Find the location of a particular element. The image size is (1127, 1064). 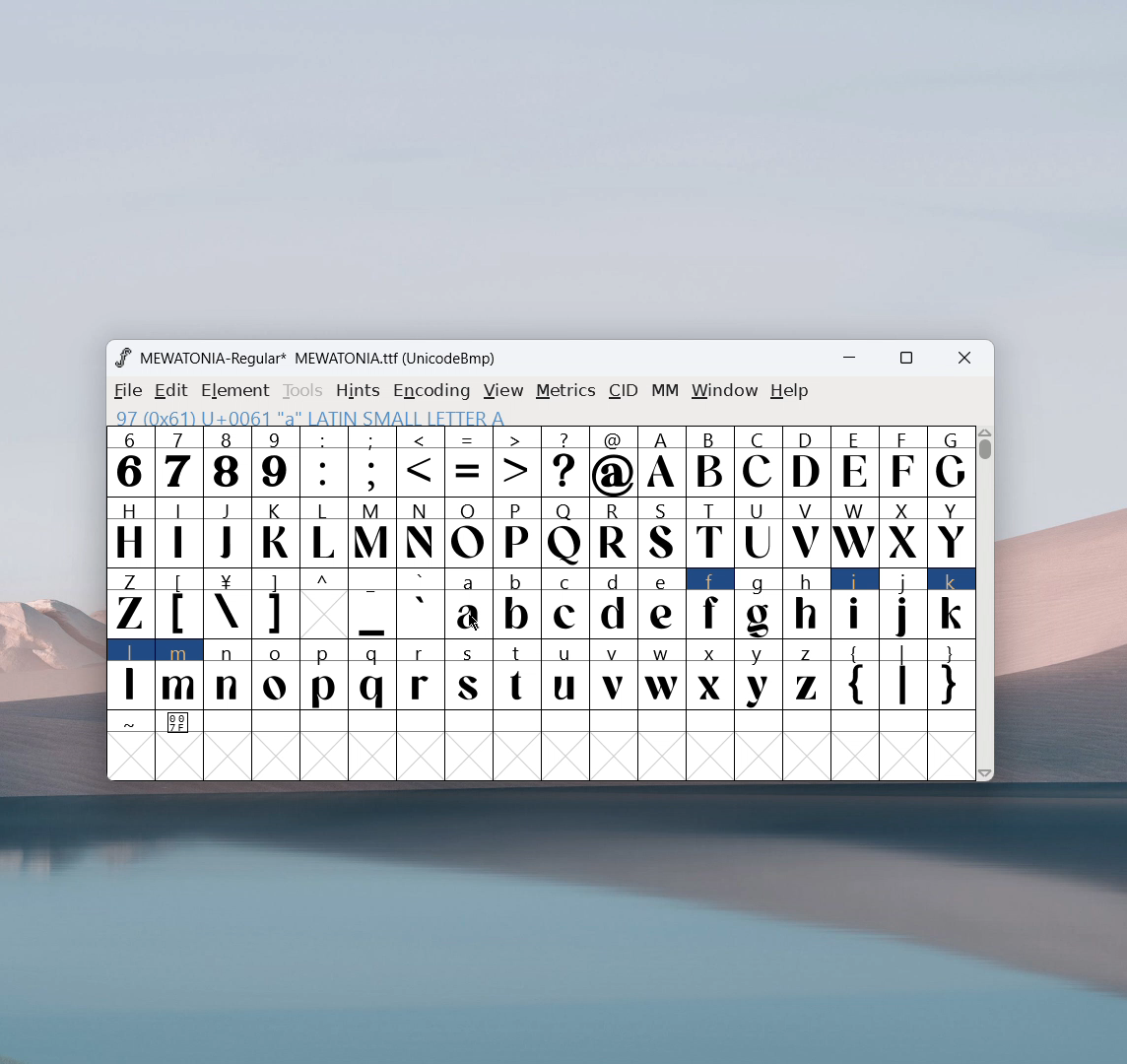

k is located at coordinates (953, 604).